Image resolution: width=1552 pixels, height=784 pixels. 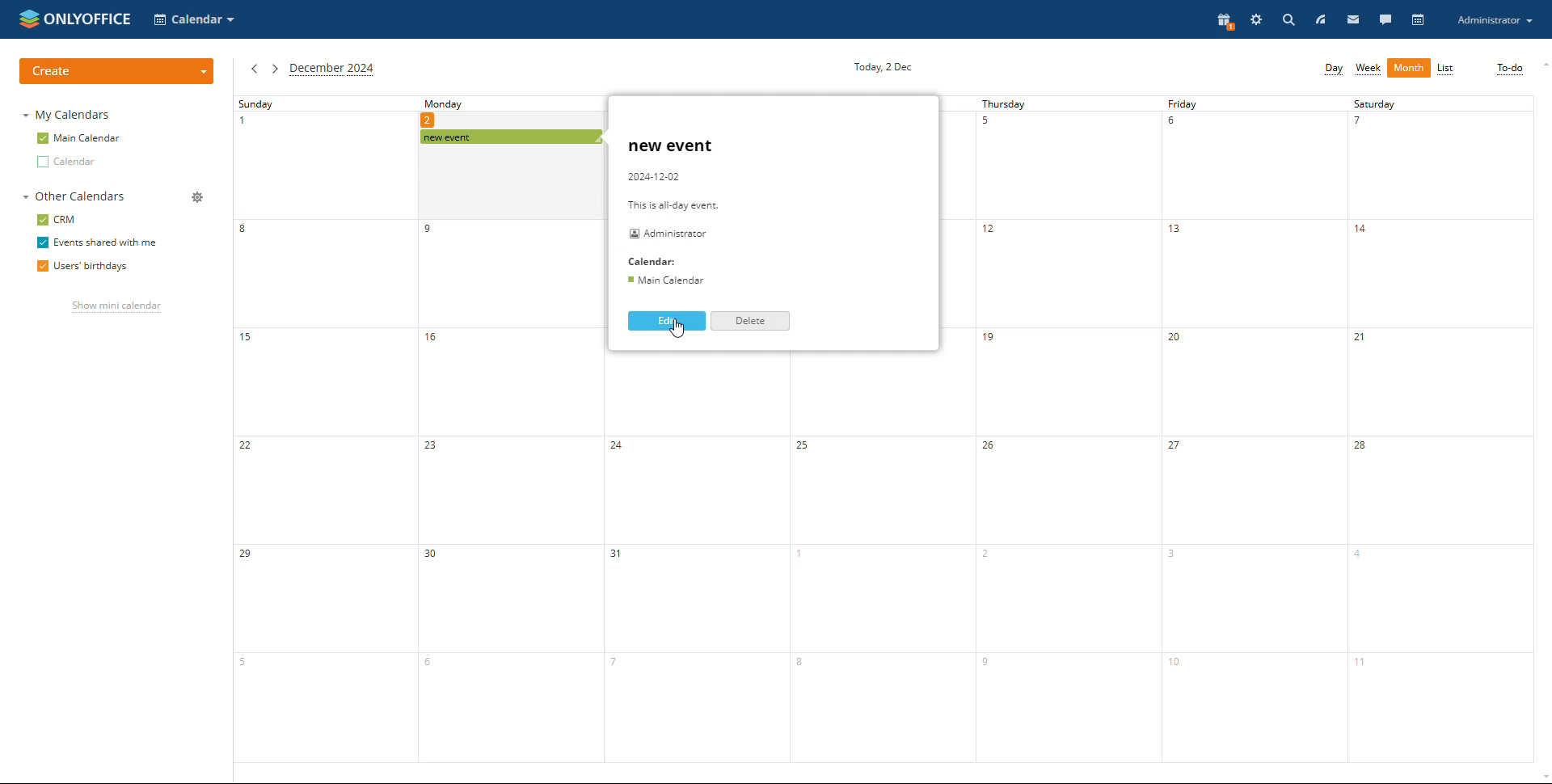 I want to click on other calendar, so click(x=65, y=163).